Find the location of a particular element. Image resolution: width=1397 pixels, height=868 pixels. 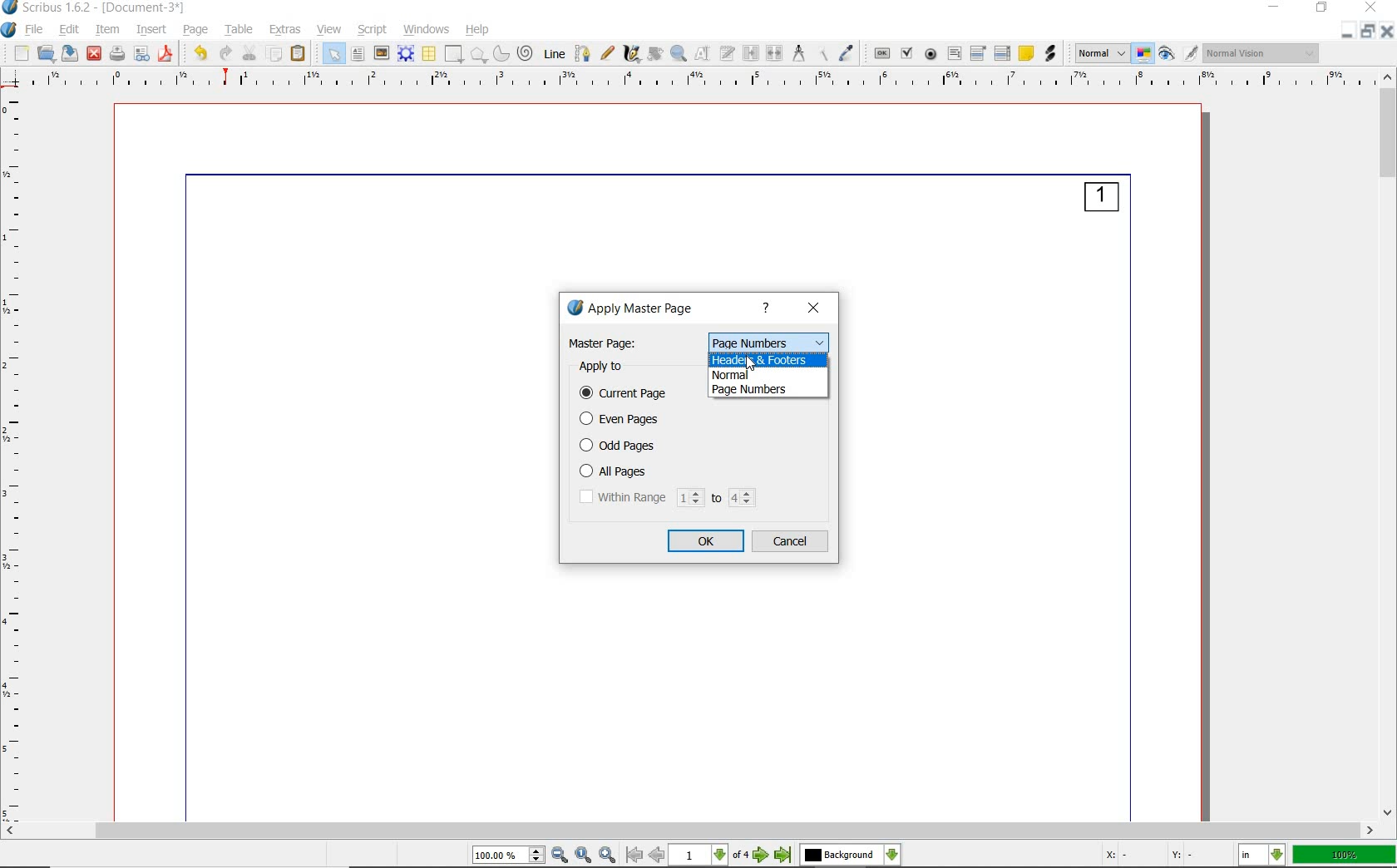

help is located at coordinates (479, 31).